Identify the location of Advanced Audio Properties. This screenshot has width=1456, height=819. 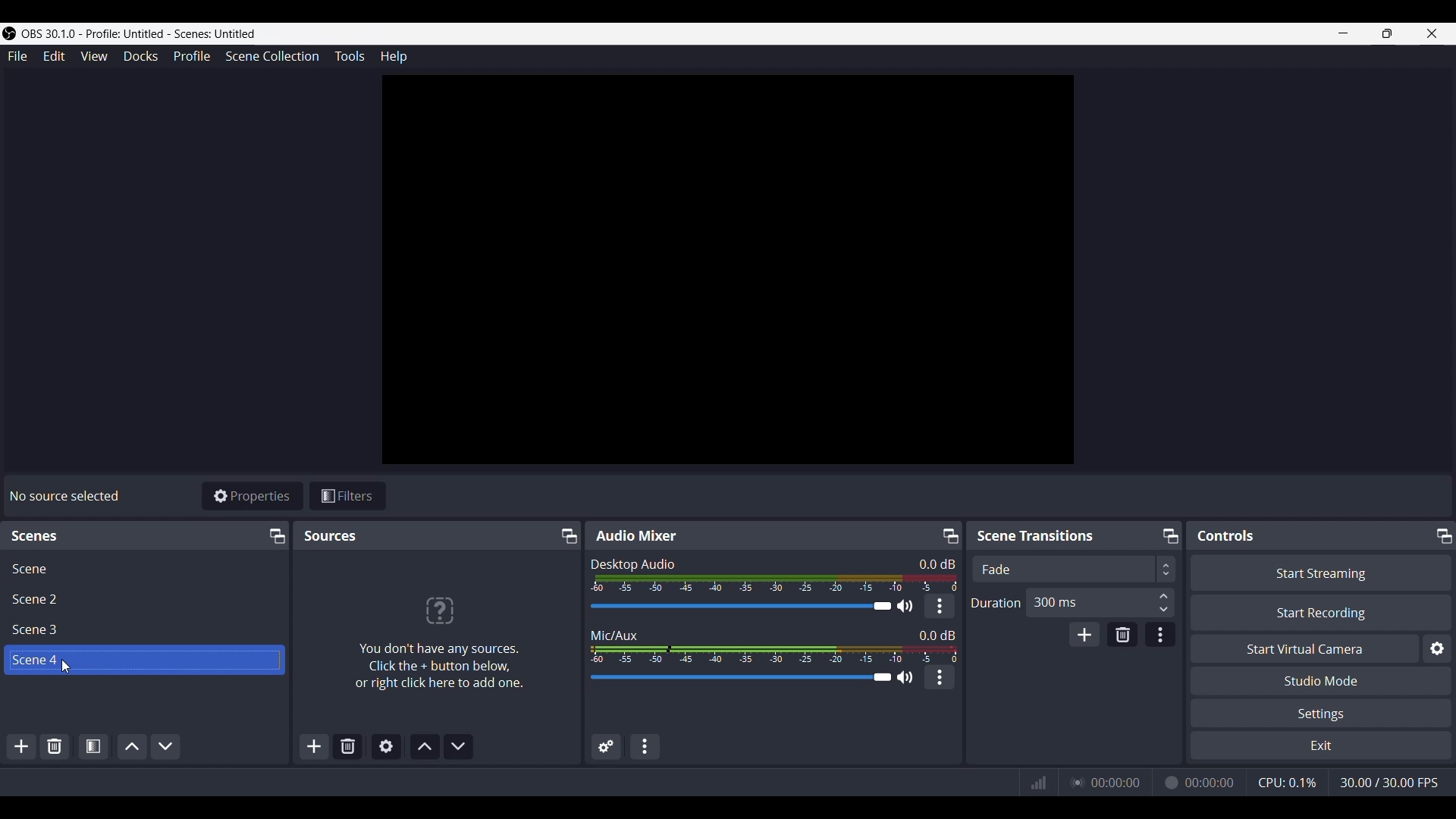
(606, 748).